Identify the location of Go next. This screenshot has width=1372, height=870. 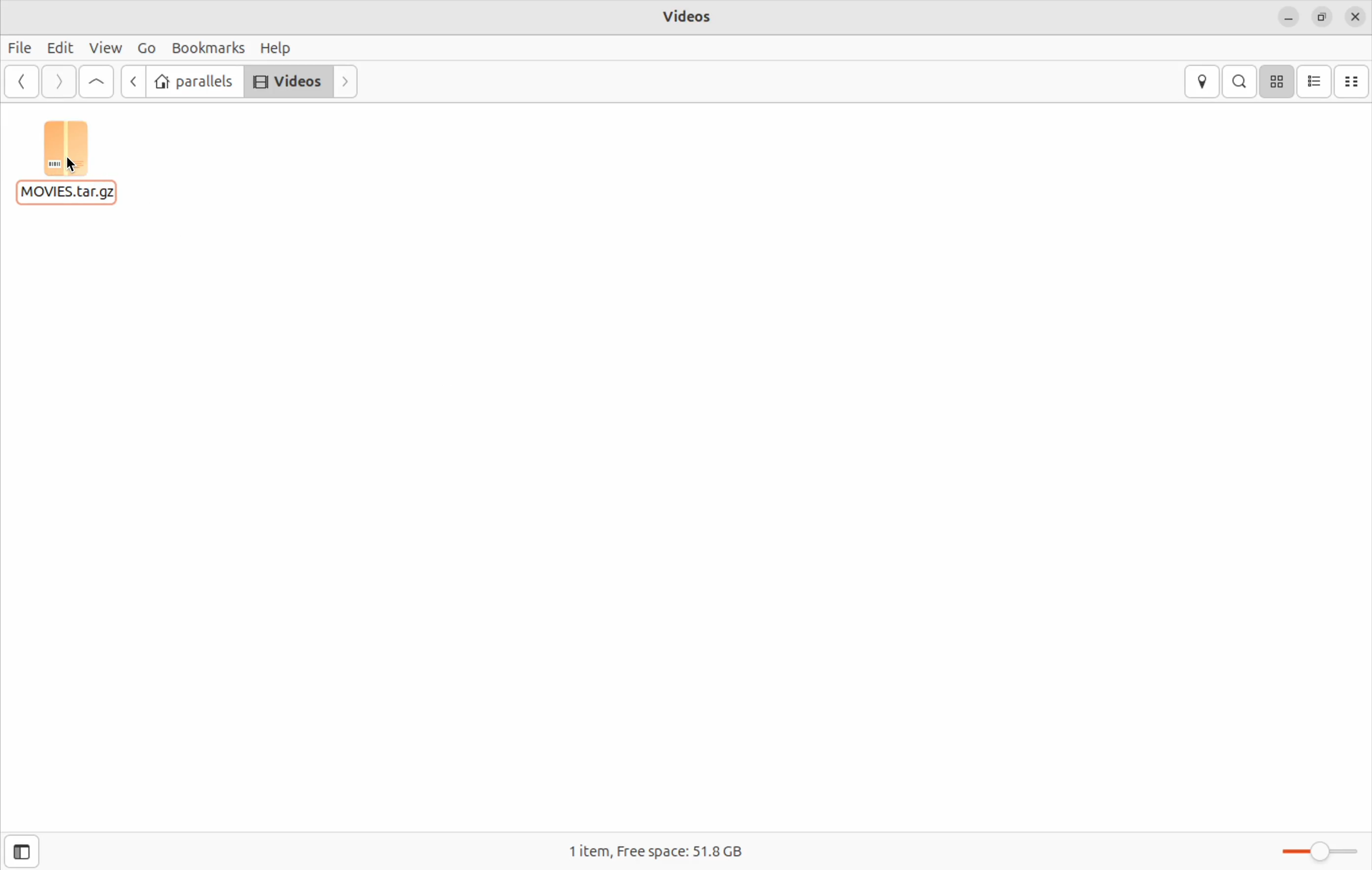
(58, 81).